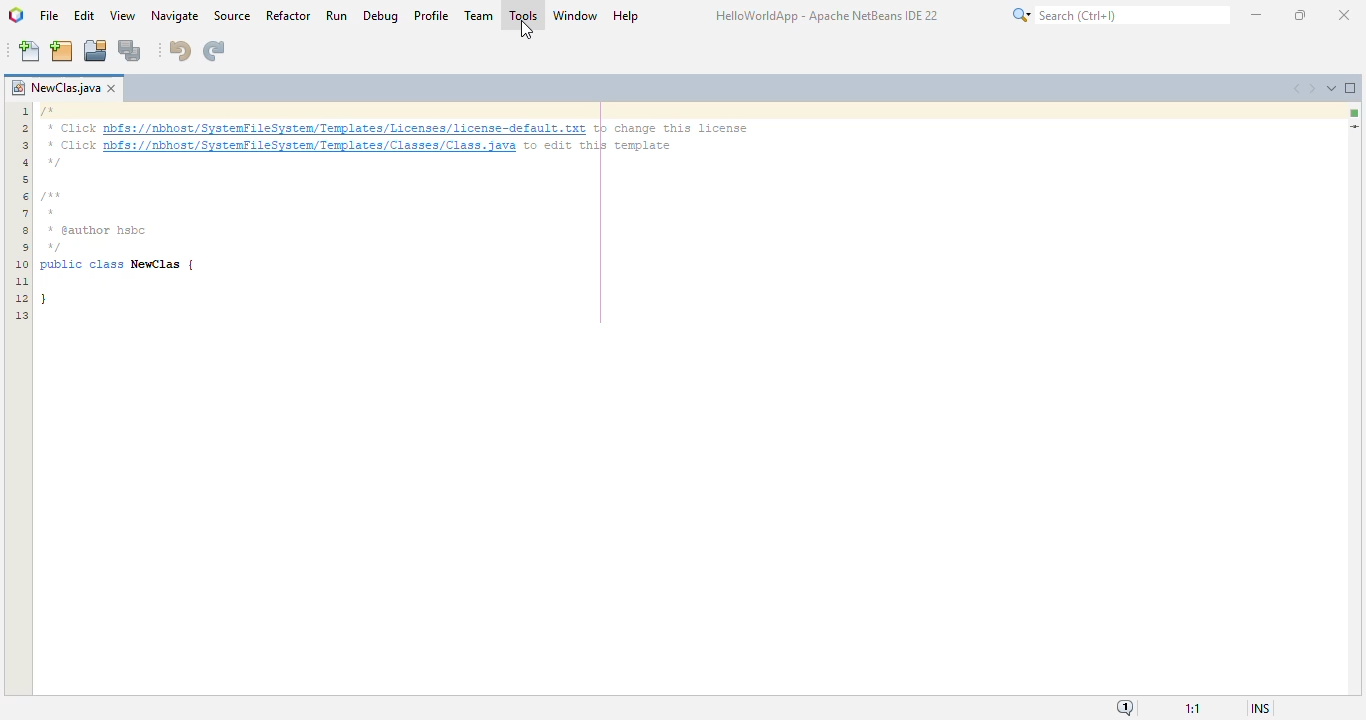  What do you see at coordinates (1256, 13) in the screenshot?
I see `minimize` at bounding box center [1256, 13].